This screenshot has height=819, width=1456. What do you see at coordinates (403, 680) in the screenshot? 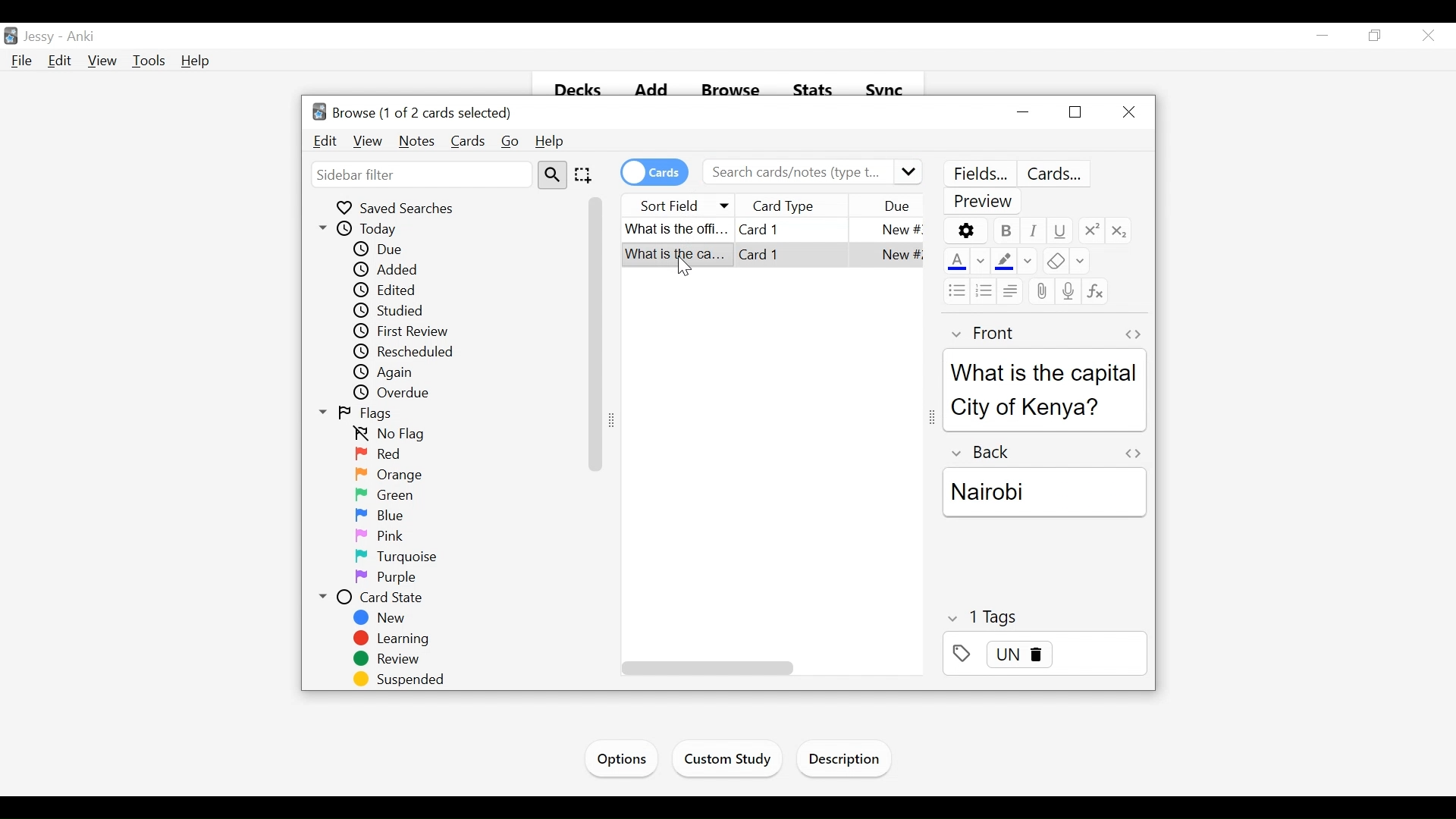
I see `Suspended` at bounding box center [403, 680].